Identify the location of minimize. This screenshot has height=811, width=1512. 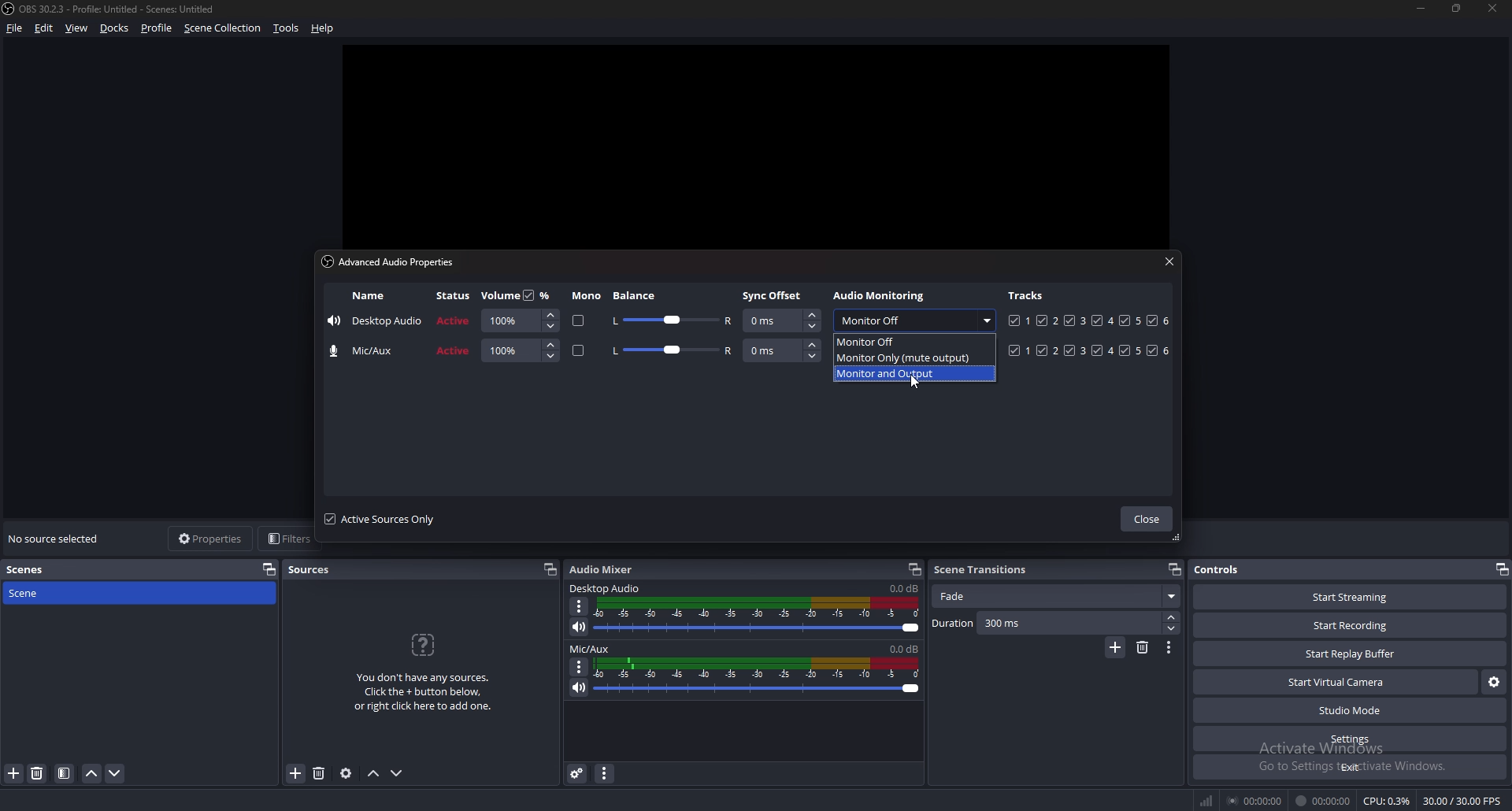
(1420, 9).